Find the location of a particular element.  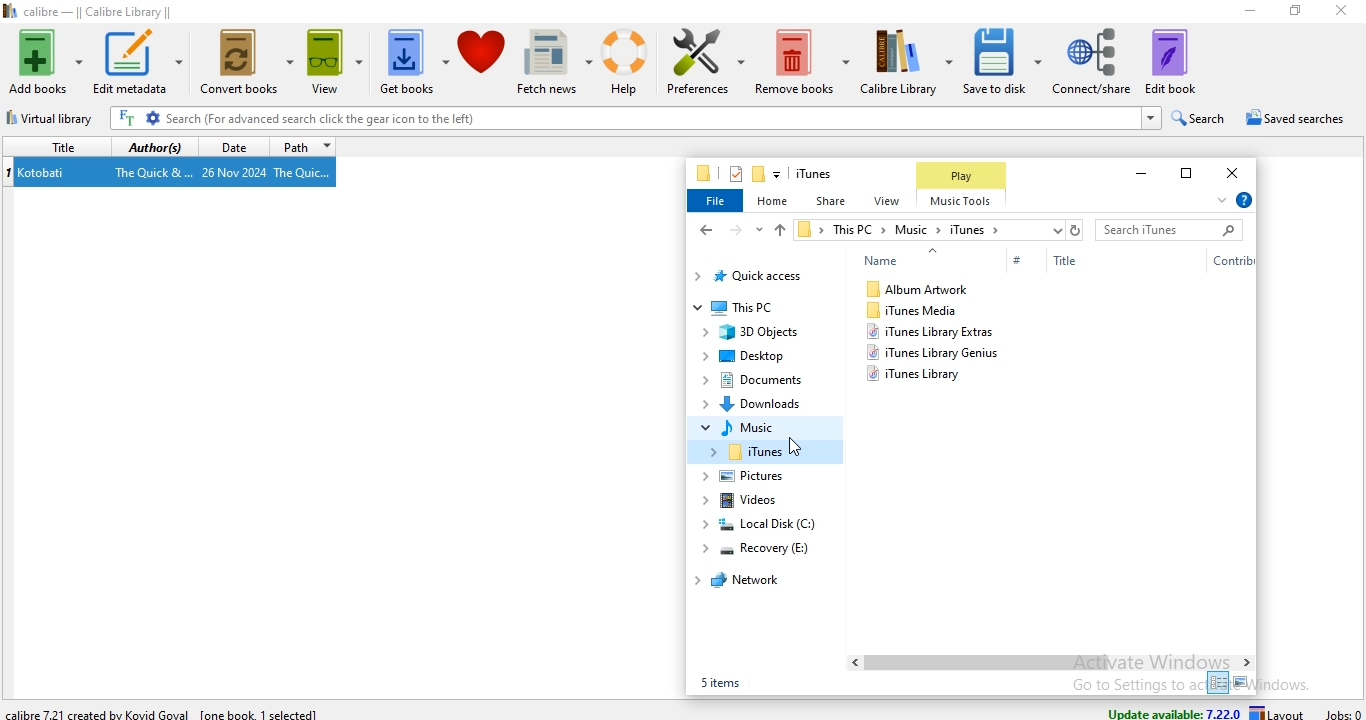

add books is located at coordinates (45, 62).